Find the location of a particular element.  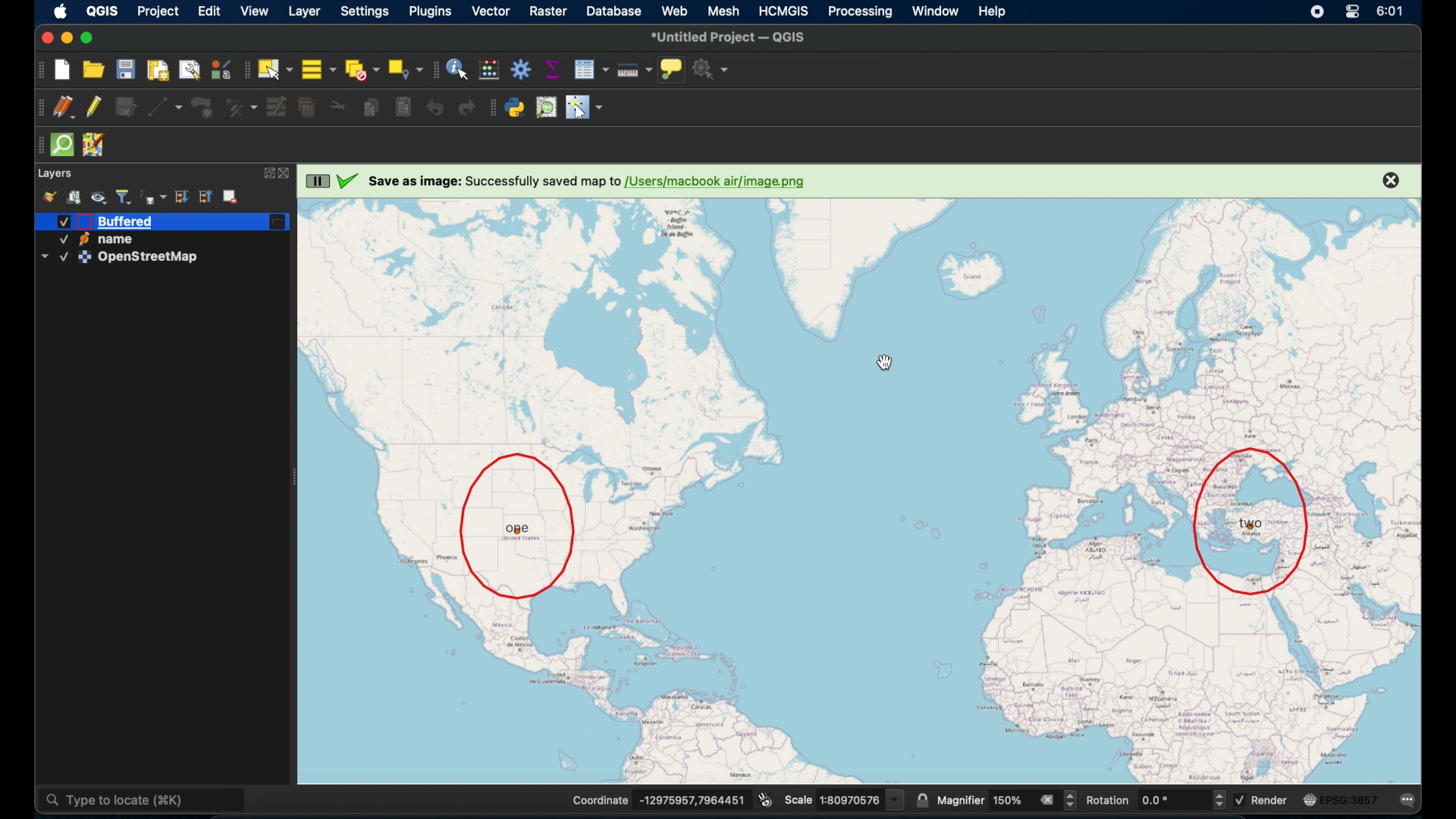

identify features is located at coordinates (457, 69).